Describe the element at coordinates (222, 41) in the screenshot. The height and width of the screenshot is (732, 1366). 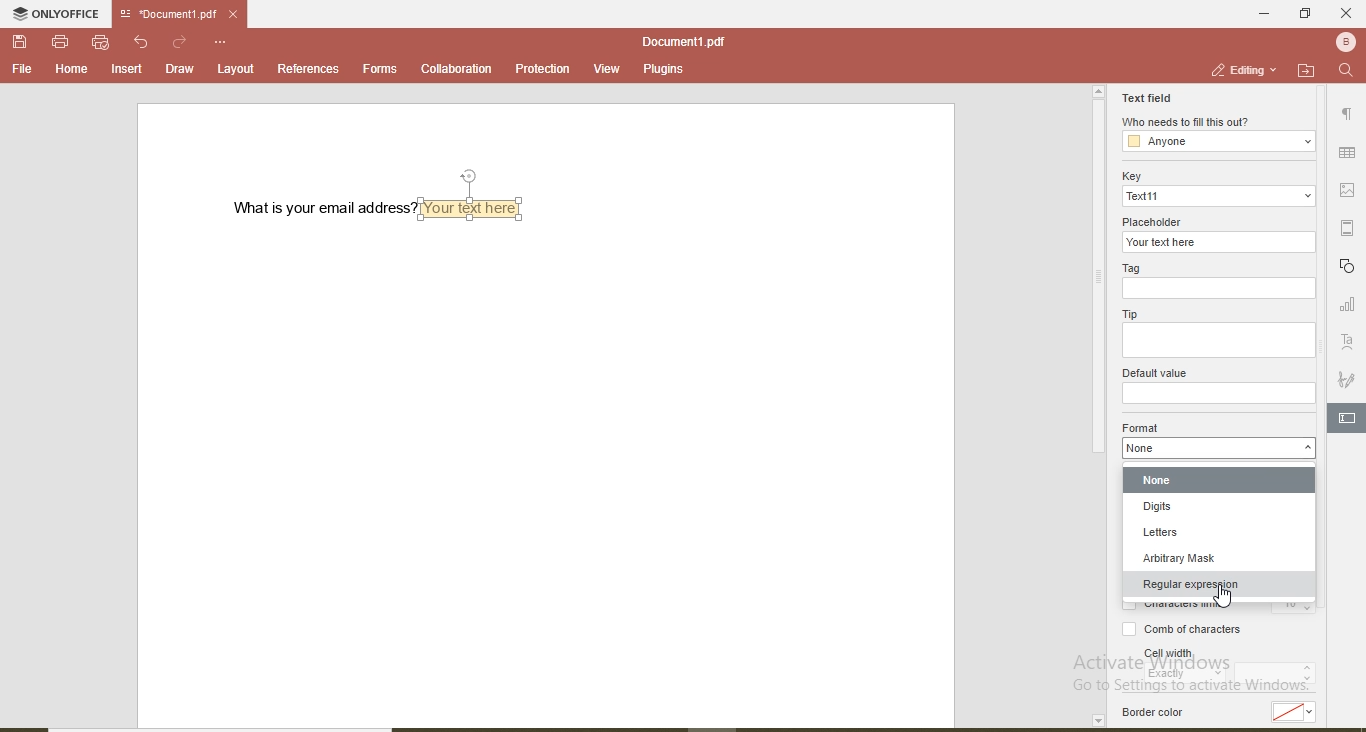
I see `customise quick access toolbar` at that location.